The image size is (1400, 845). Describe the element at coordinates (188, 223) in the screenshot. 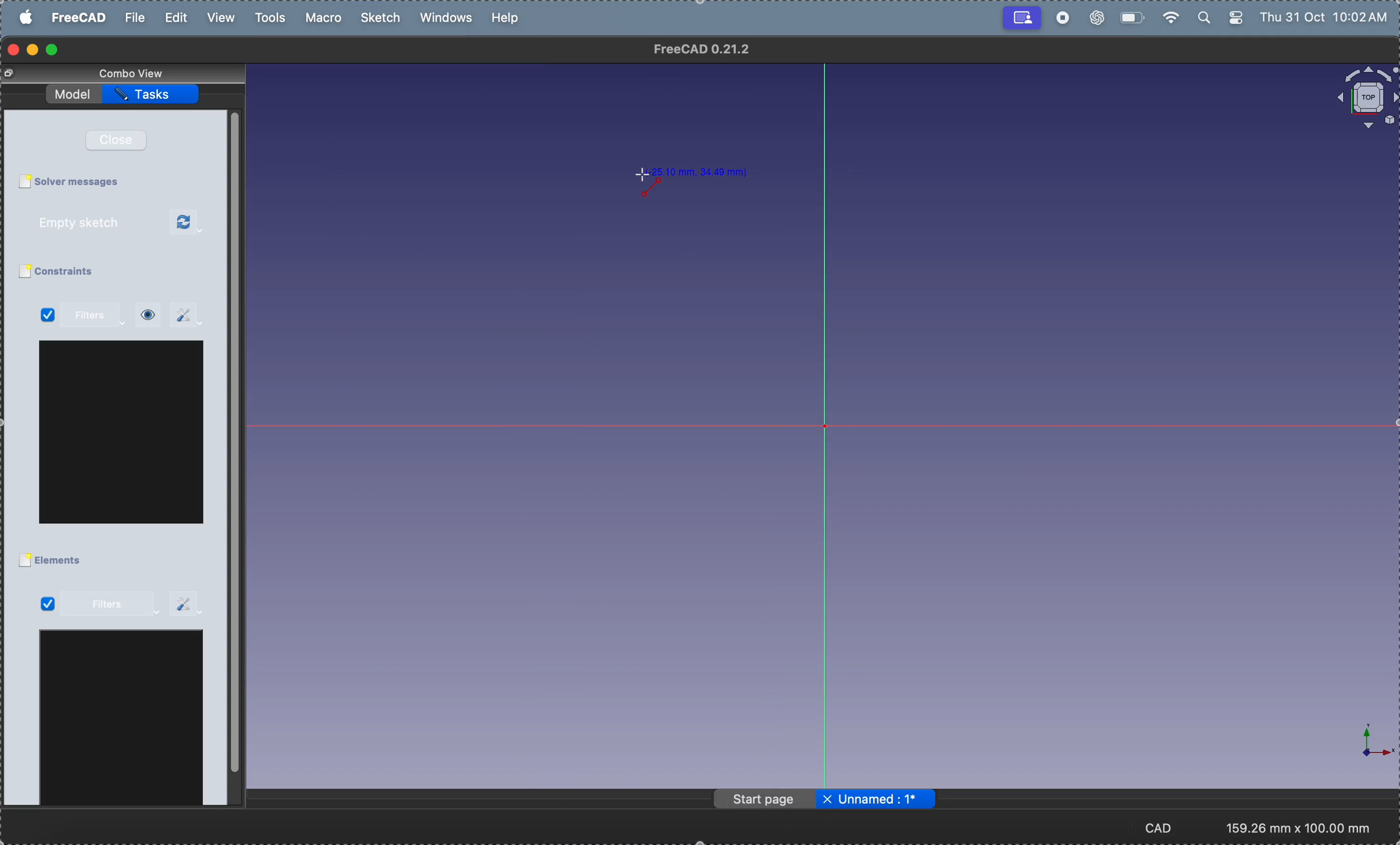

I see `refresh` at that location.